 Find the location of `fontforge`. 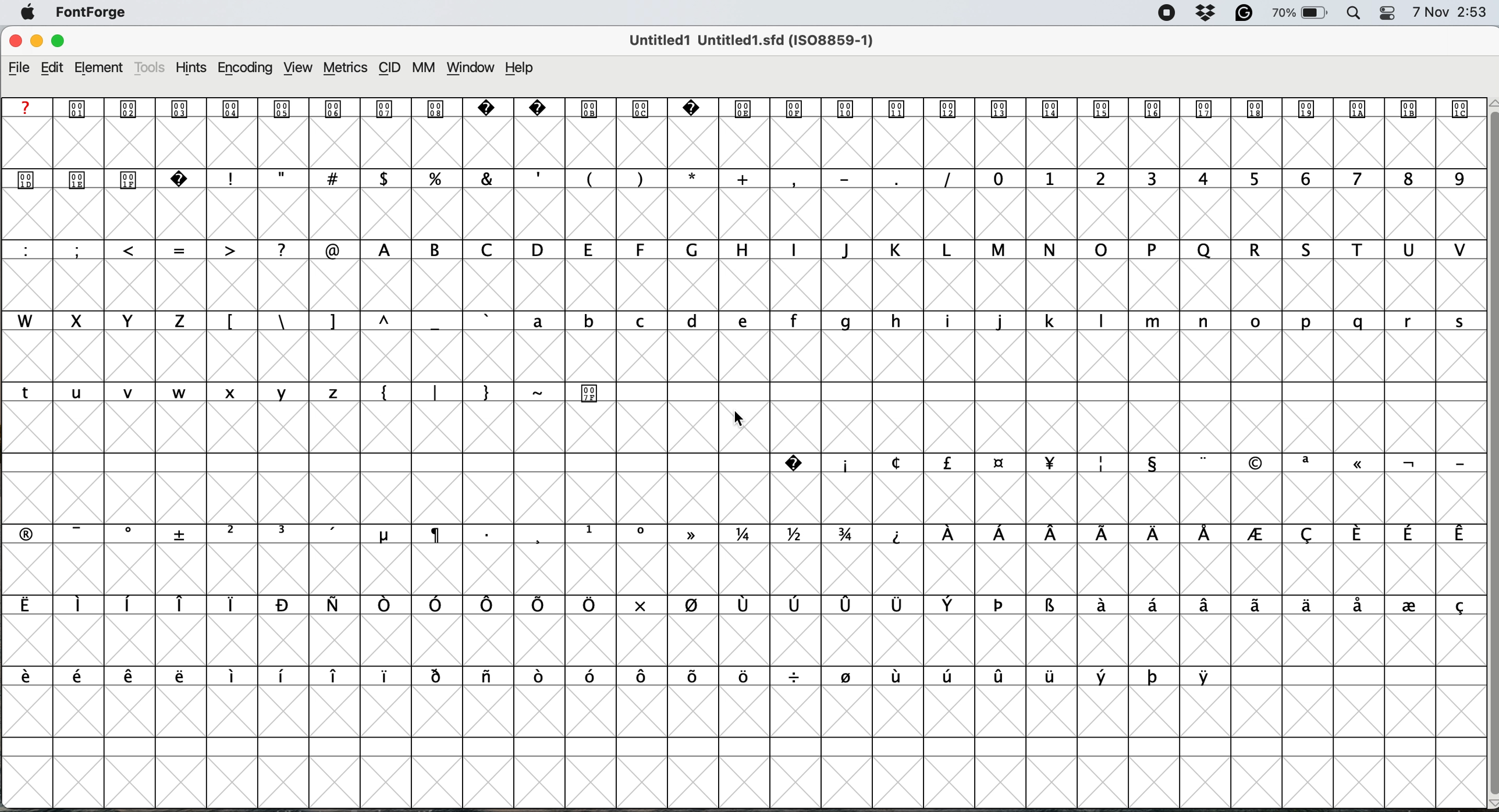

fontforge is located at coordinates (91, 12).